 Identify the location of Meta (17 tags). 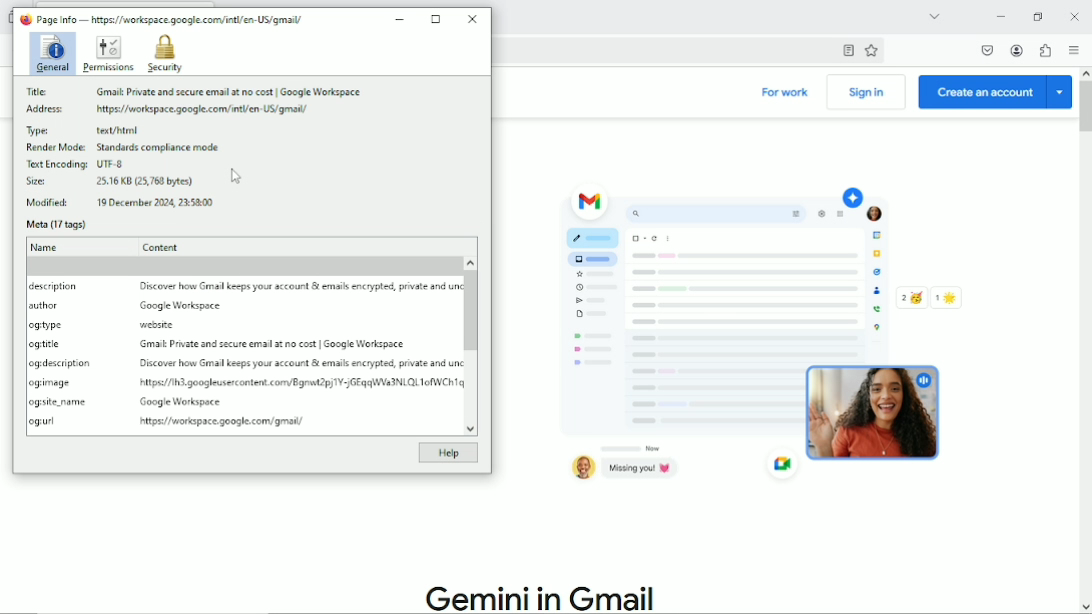
(55, 225).